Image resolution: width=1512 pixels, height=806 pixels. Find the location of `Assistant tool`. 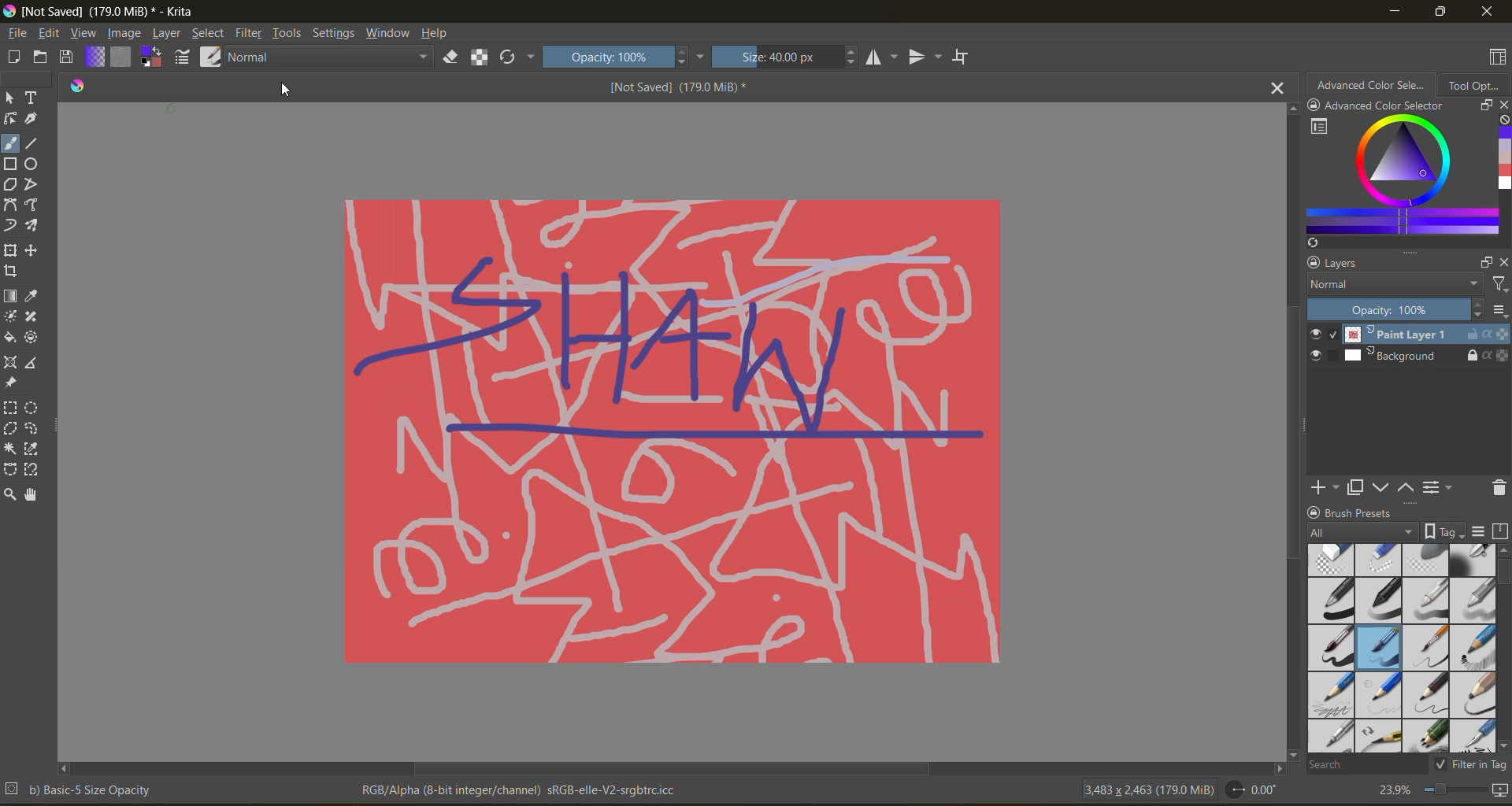

Assistant tool is located at coordinates (13, 362).